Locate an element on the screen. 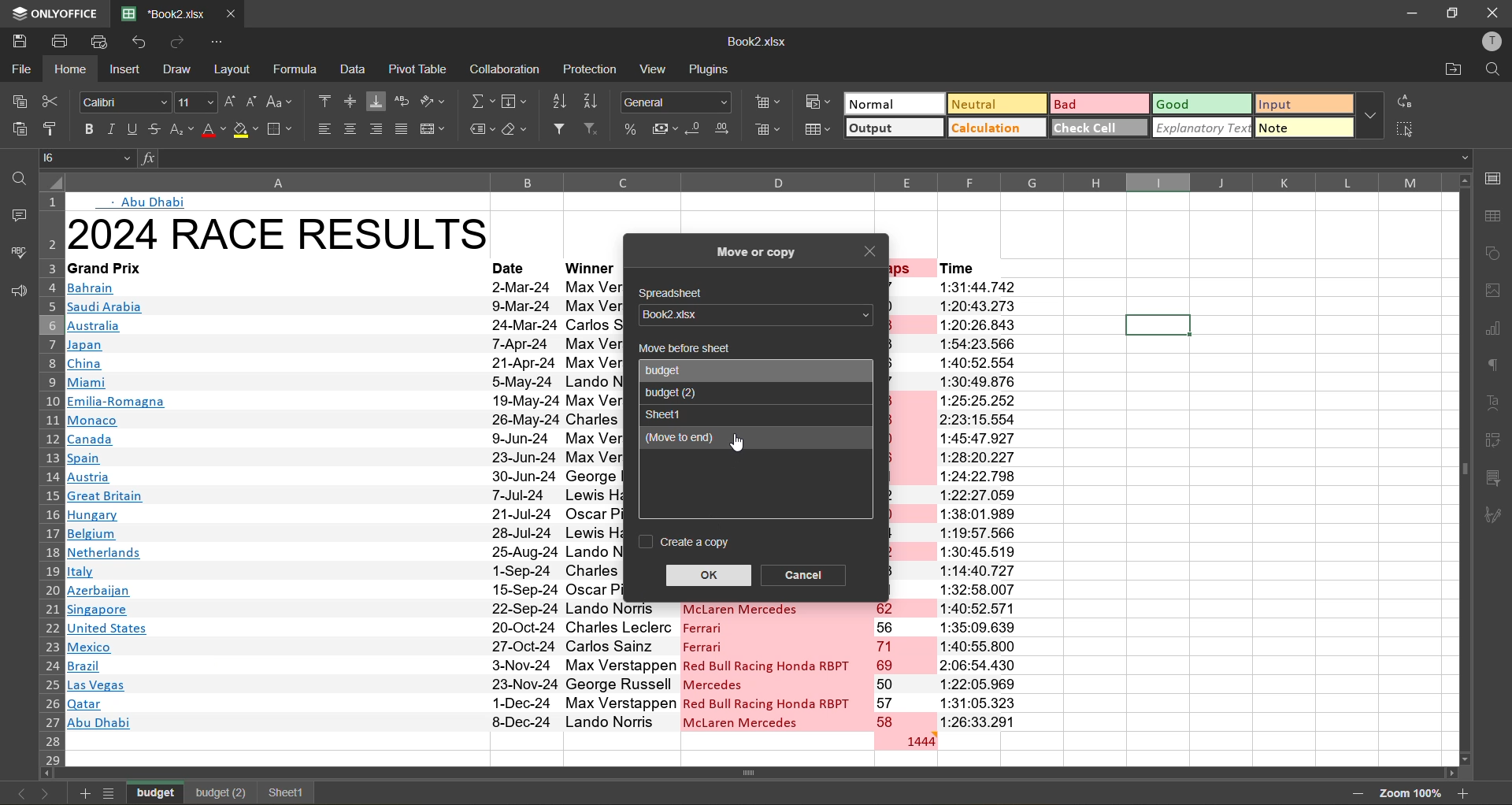  title is located at coordinates (279, 233).